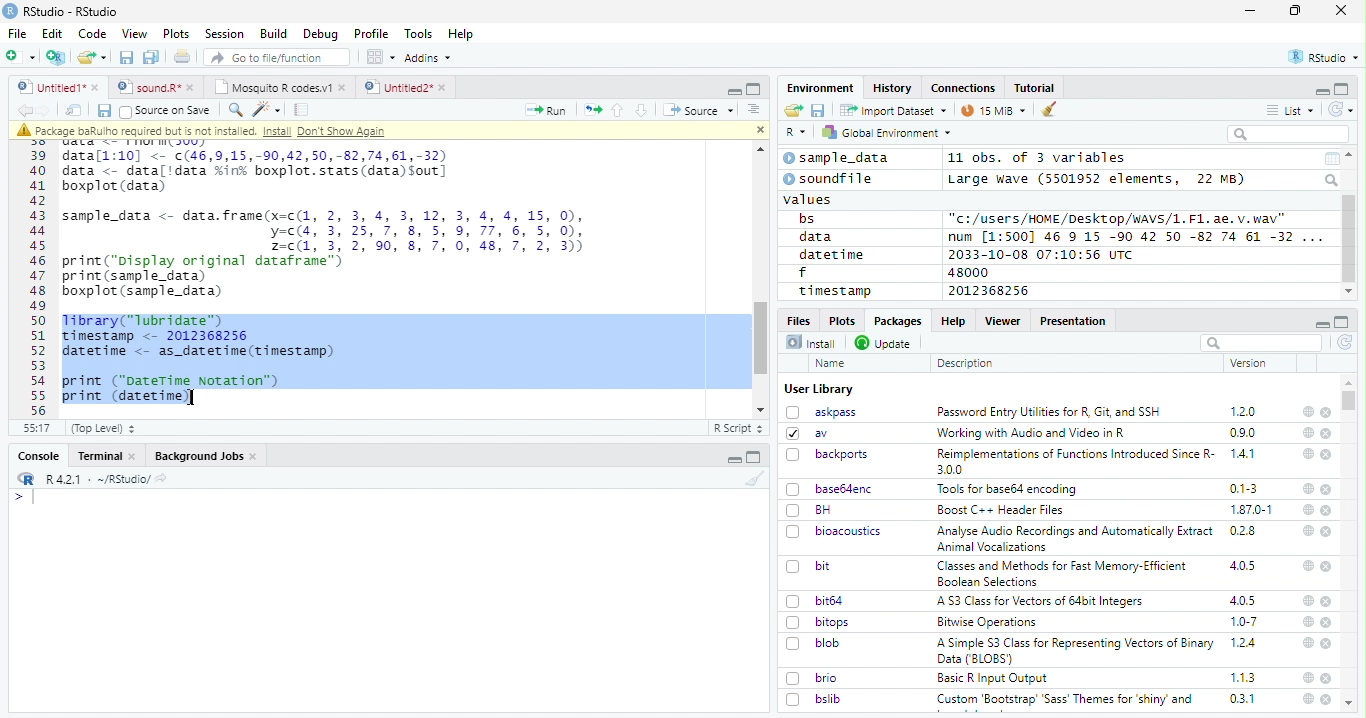 This screenshot has height=718, width=1366. Describe the element at coordinates (1071, 538) in the screenshot. I see `Analyse Audio Recordings and Automatically ExtractAnimal Vocalizations` at that location.